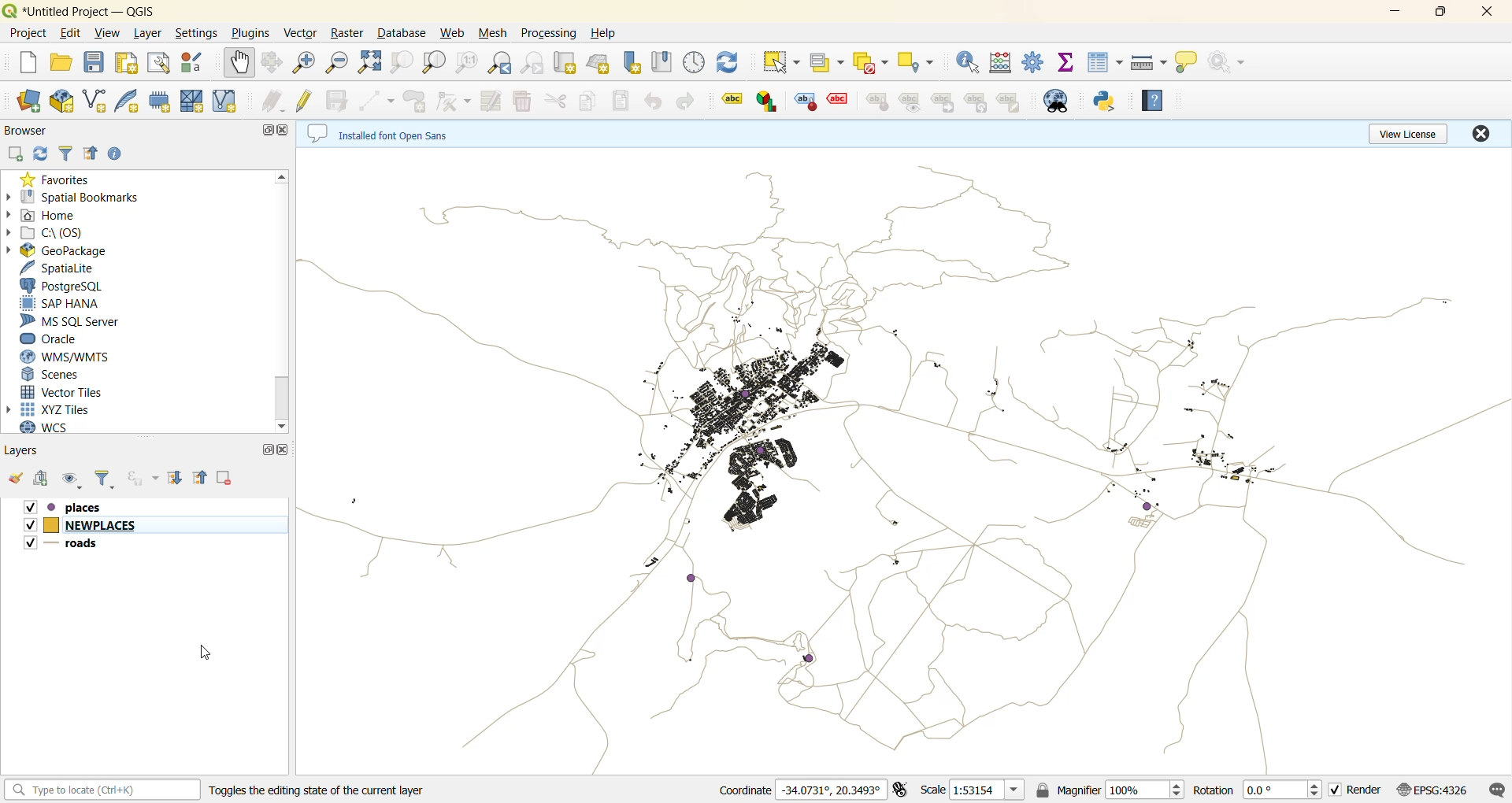 The width and height of the screenshot is (1512, 803). What do you see at coordinates (1104, 62) in the screenshot?
I see `attributes table` at bounding box center [1104, 62].